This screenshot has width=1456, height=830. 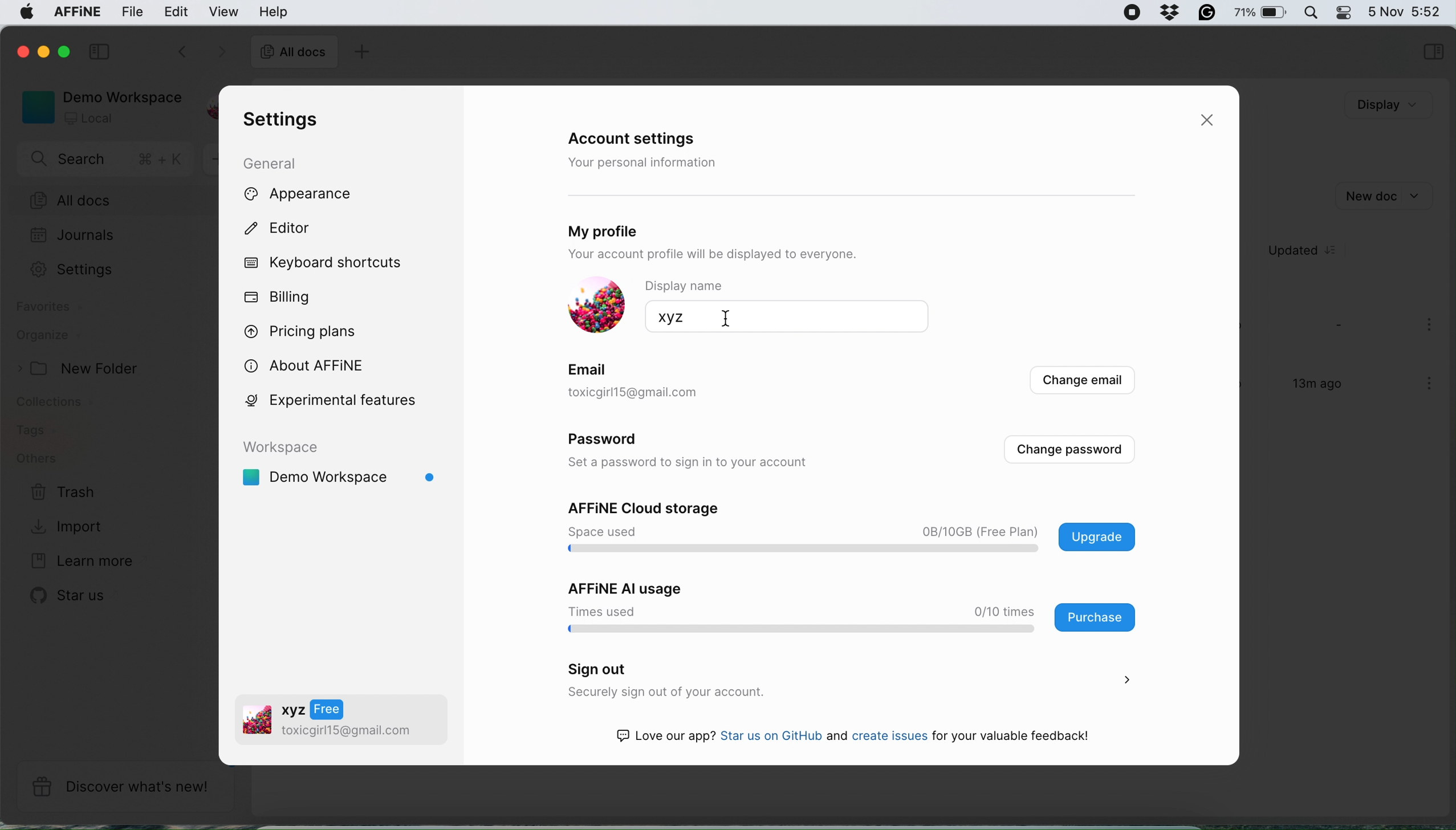 What do you see at coordinates (1211, 121) in the screenshot?
I see `close` at bounding box center [1211, 121].